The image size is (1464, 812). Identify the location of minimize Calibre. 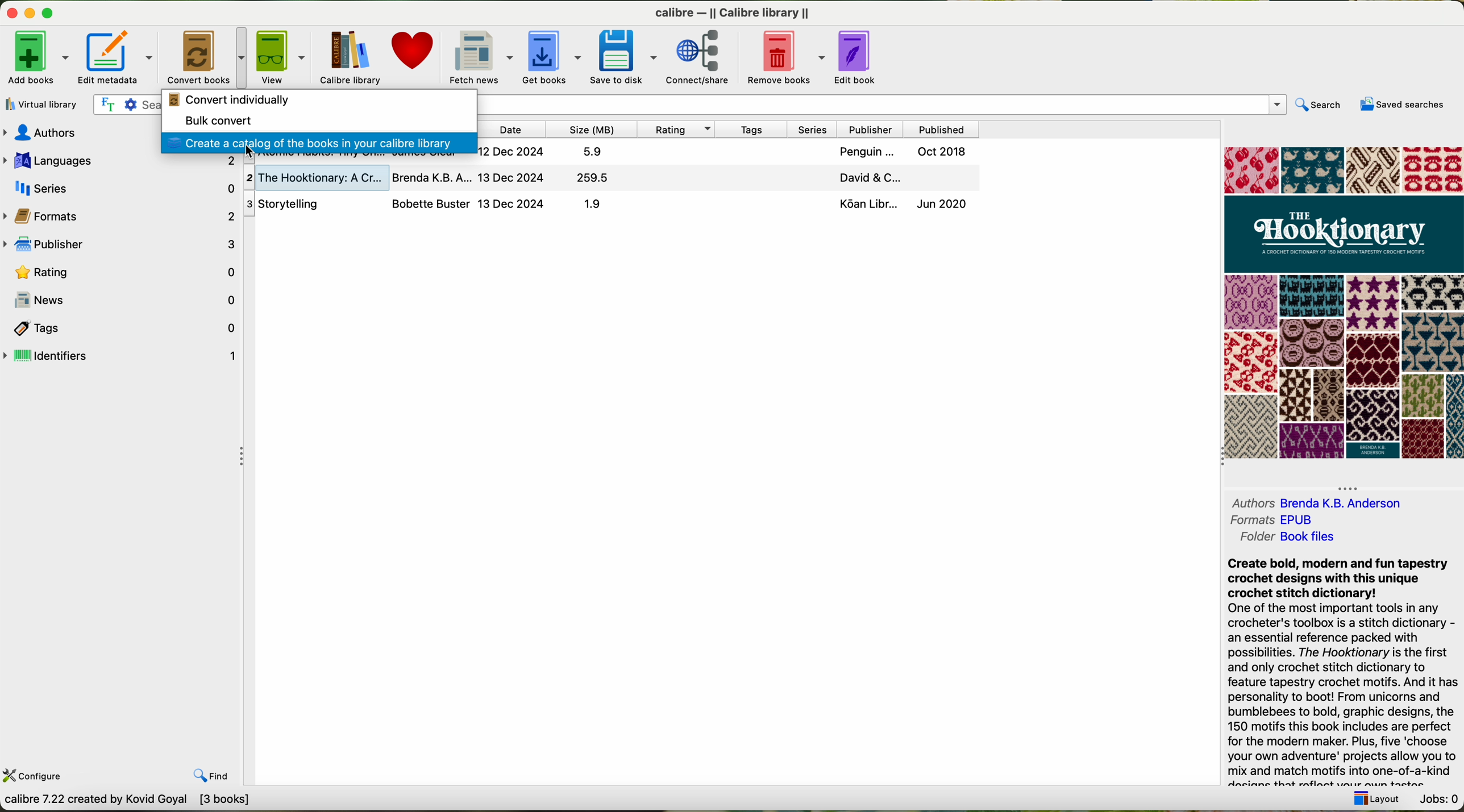
(30, 14).